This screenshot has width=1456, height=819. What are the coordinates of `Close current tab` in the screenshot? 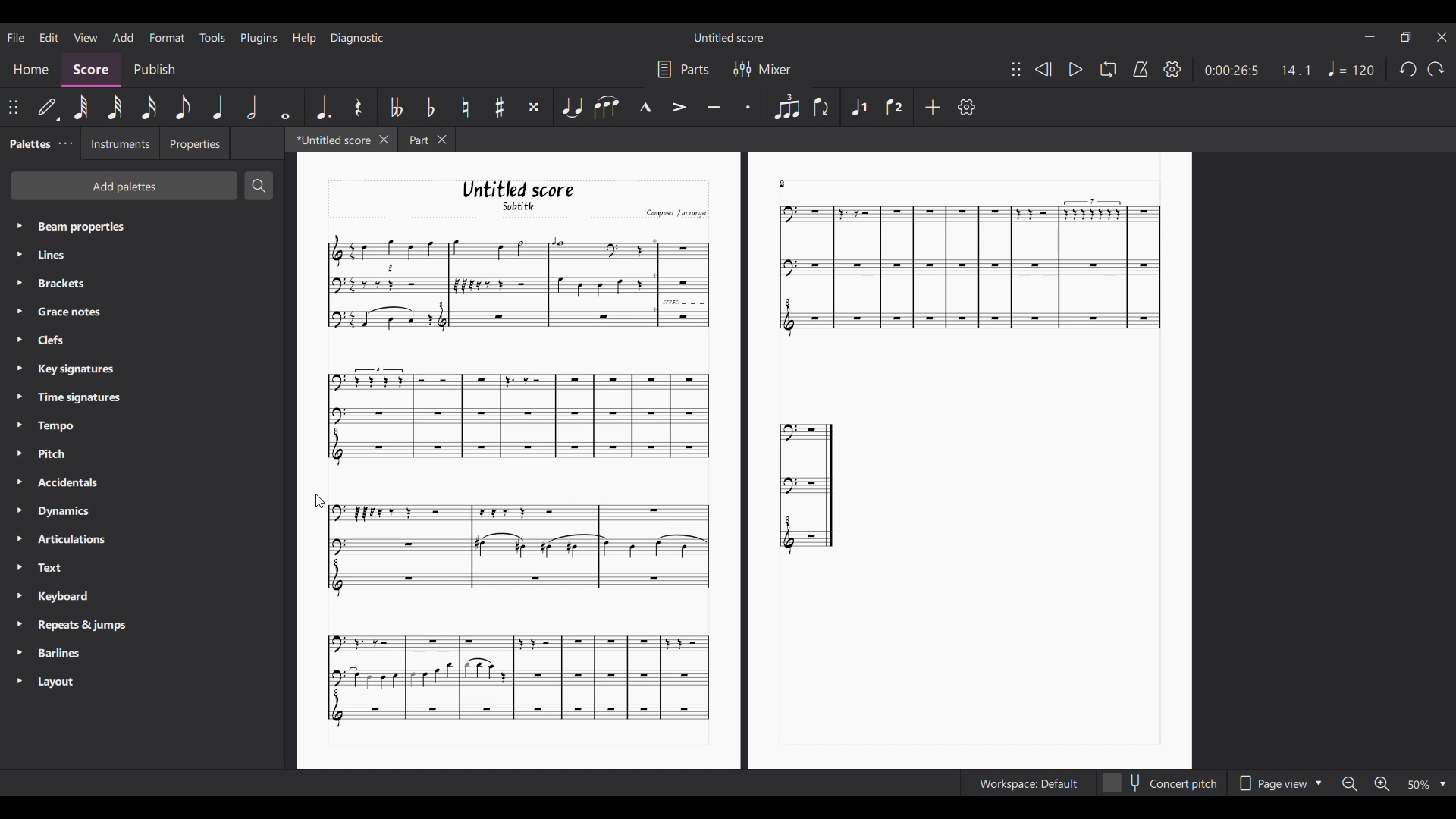 It's located at (384, 139).